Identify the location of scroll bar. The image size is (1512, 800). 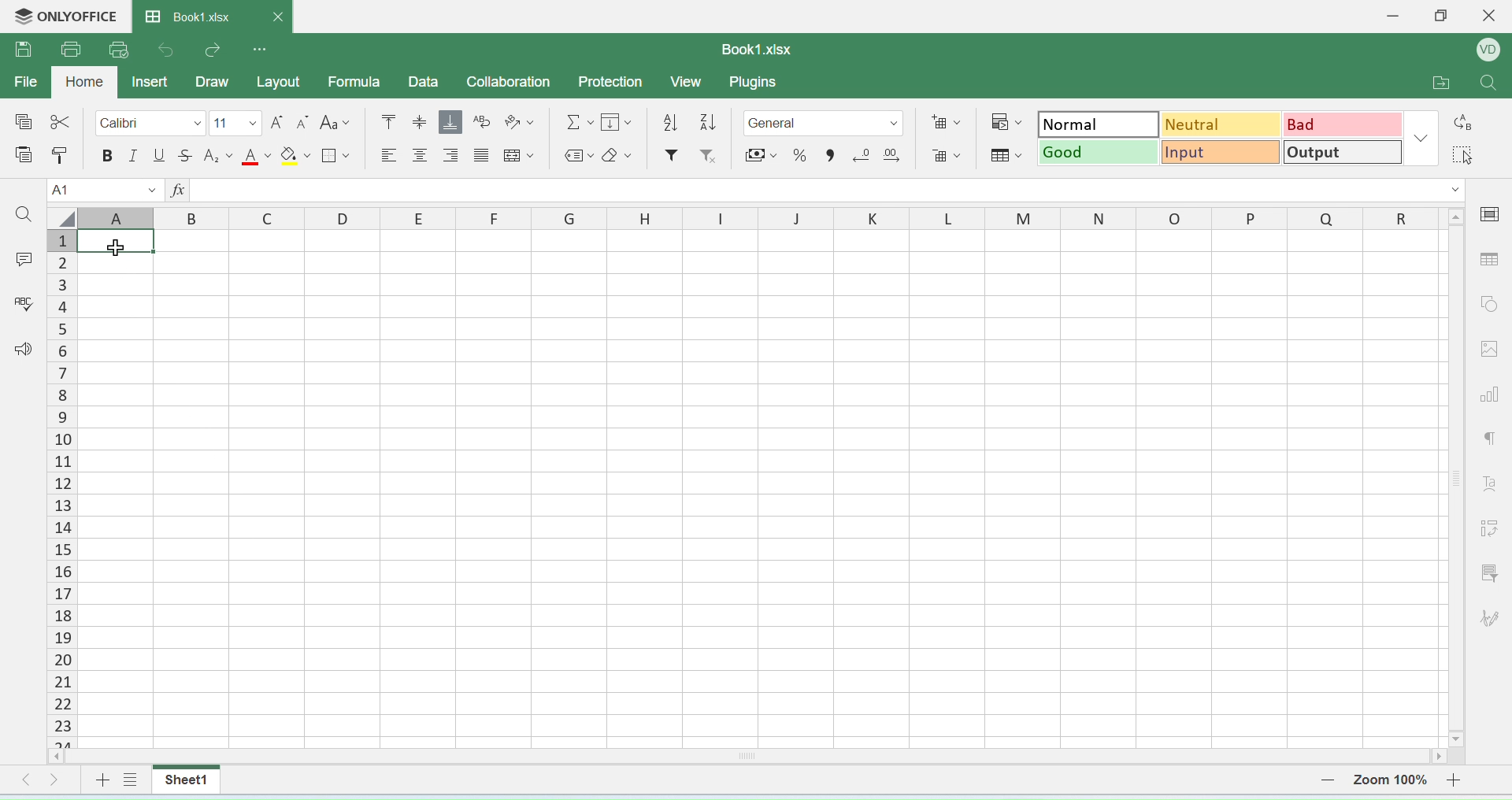
(1456, 473).